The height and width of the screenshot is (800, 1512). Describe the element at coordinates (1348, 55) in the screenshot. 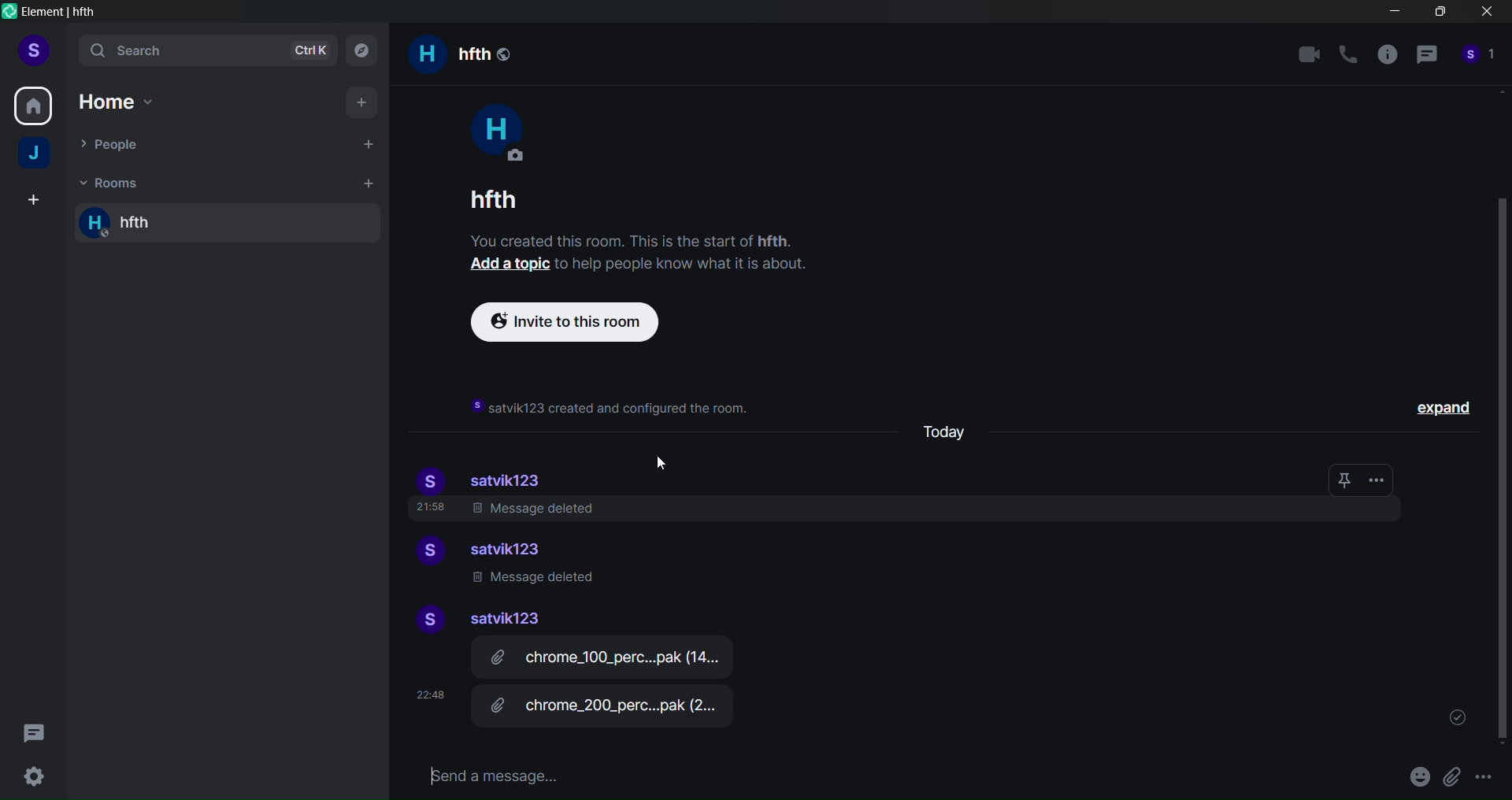

I see `call` at that location.